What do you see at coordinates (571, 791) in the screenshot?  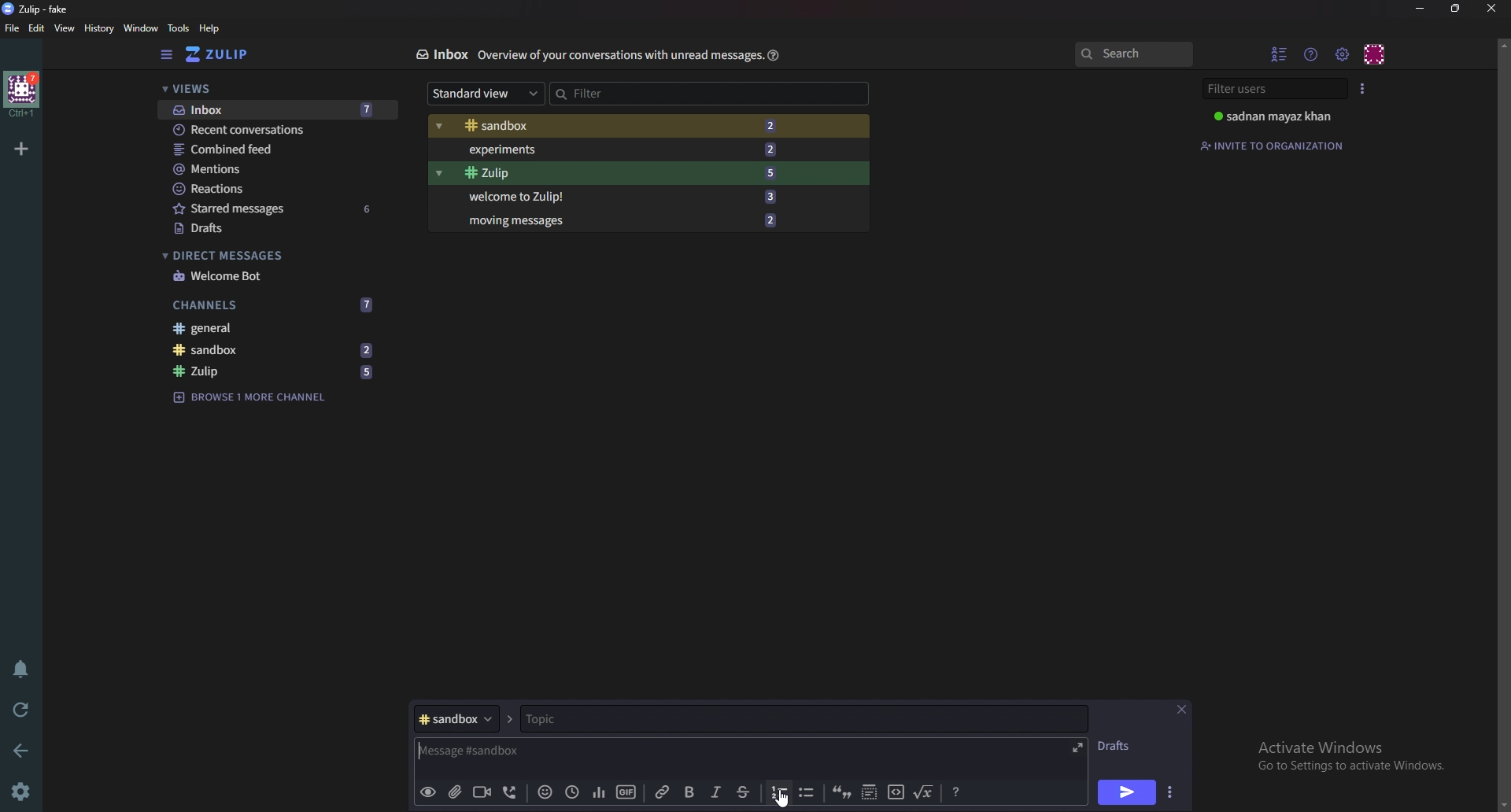 I see `Global time` at bounding box center [571, 791].